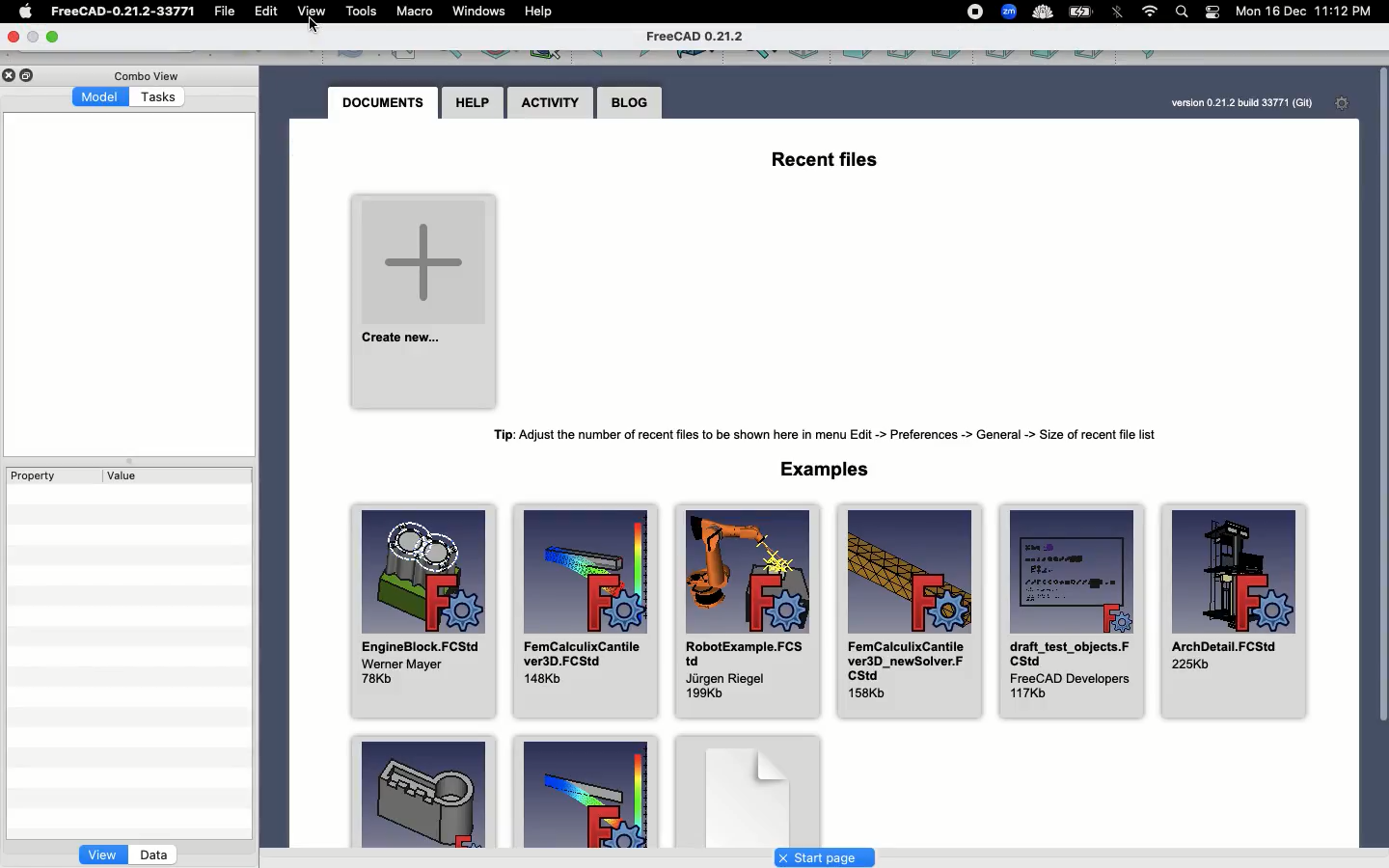 The image size is (1389, 868). I want to click on Start page, so click(825, 856).